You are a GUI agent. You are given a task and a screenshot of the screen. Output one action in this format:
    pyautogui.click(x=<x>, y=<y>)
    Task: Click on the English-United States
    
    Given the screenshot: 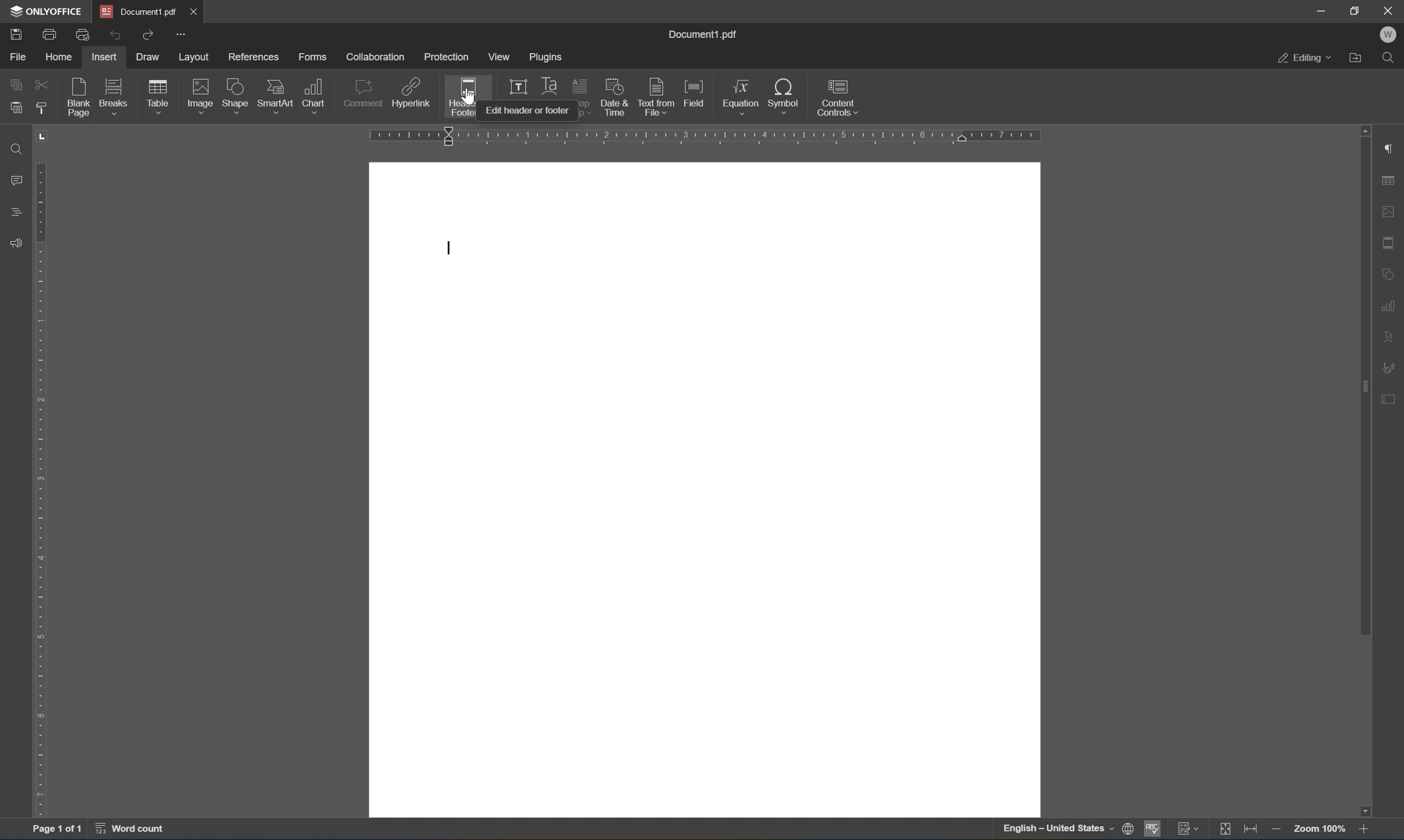 What is the action you would take?
    pyautogui.click(x=1066, y=830)
    